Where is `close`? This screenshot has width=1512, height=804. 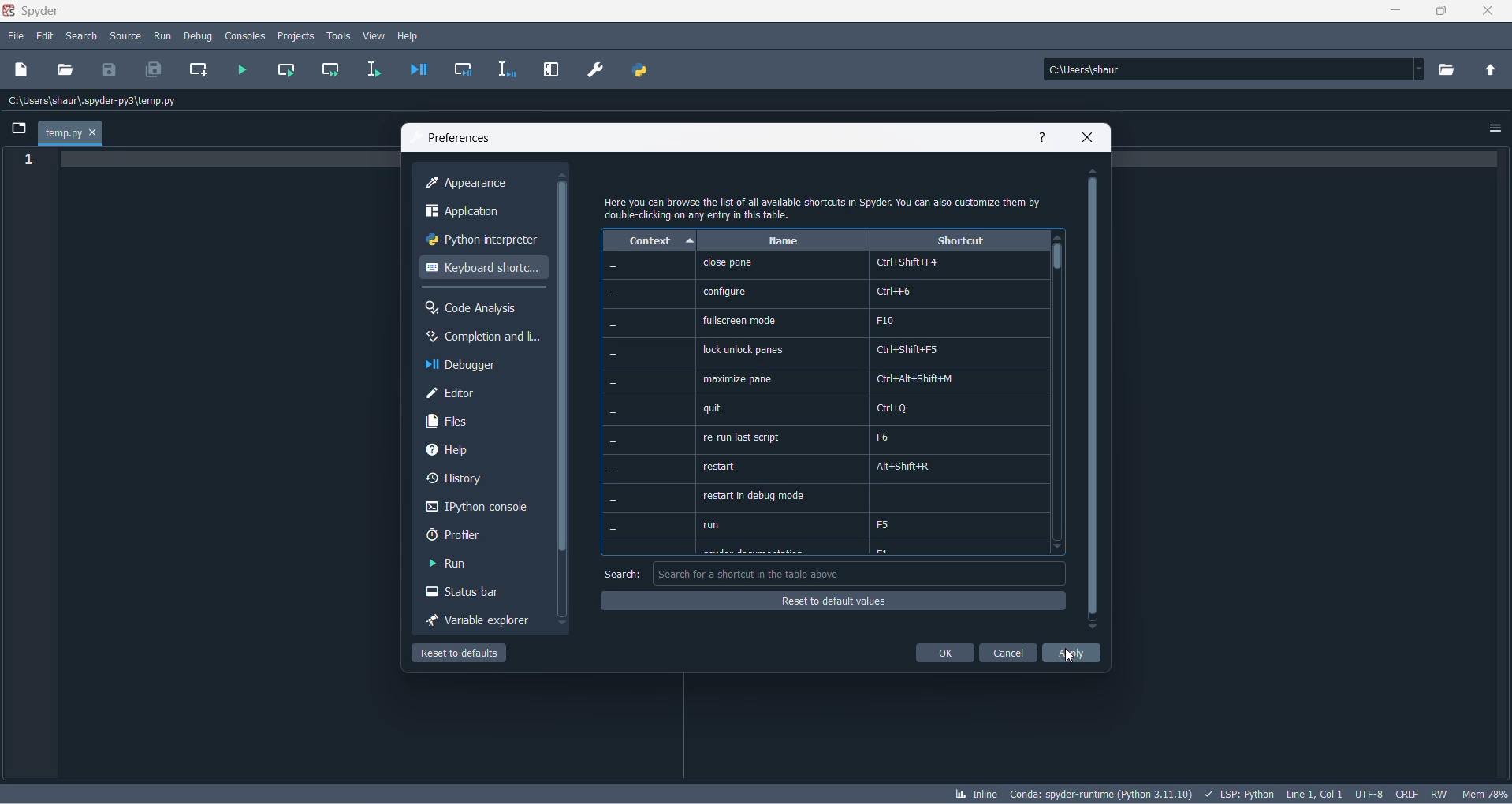
close is located at coordinates (1494, 14).